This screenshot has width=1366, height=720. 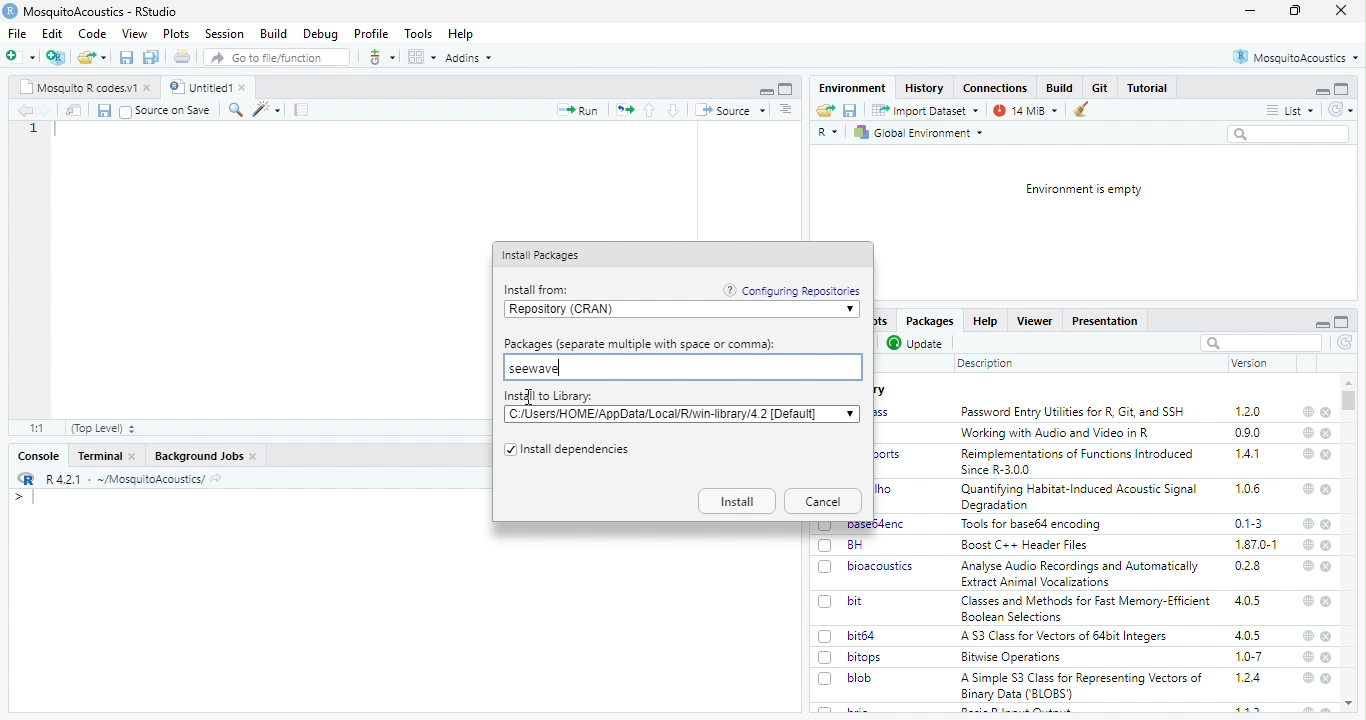 I want to click on Help, so click(x=462, y=35).